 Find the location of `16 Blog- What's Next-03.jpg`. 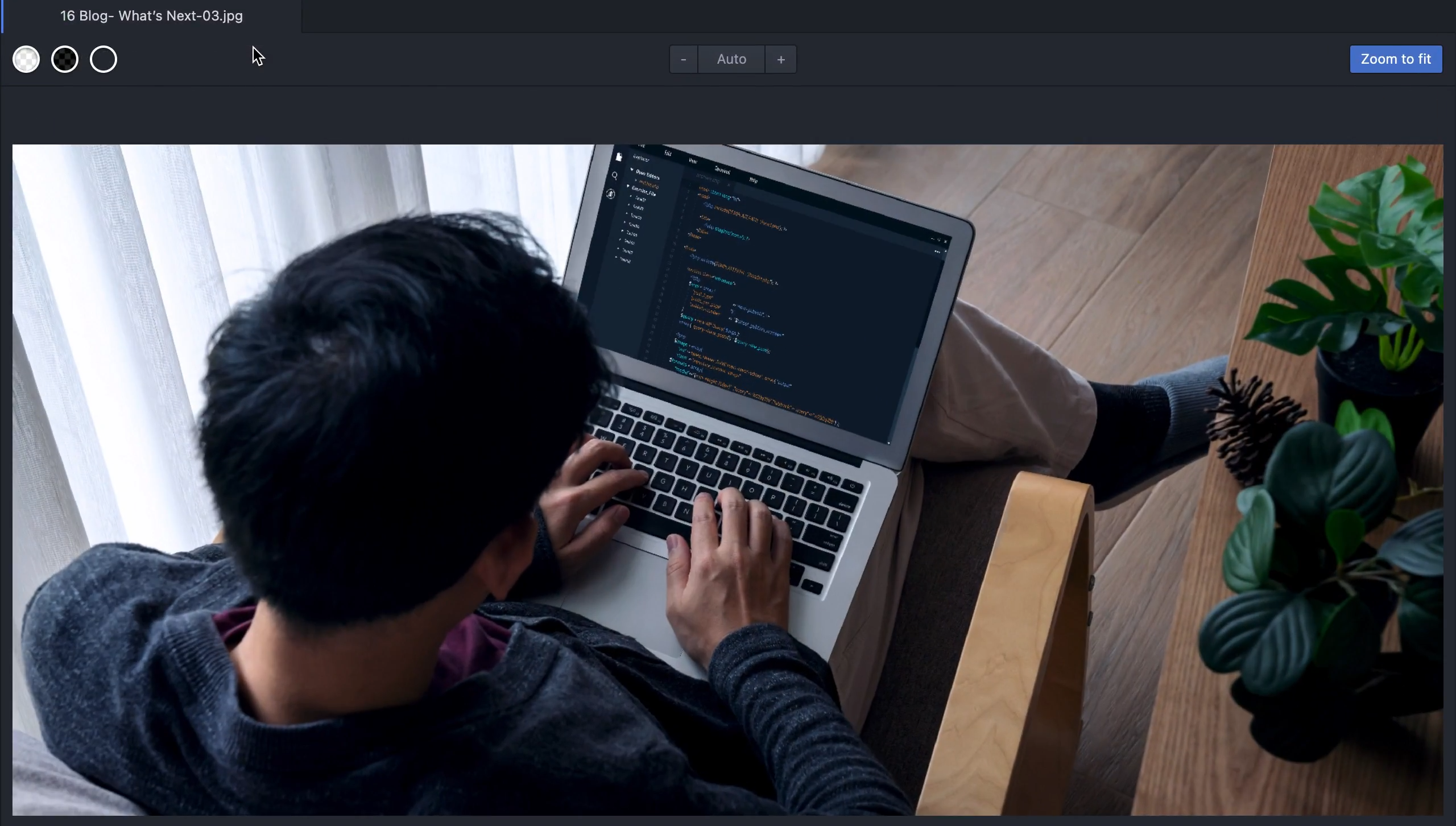

16 Blog- What's Next-03.jpg is located at coordinates (152, 18).